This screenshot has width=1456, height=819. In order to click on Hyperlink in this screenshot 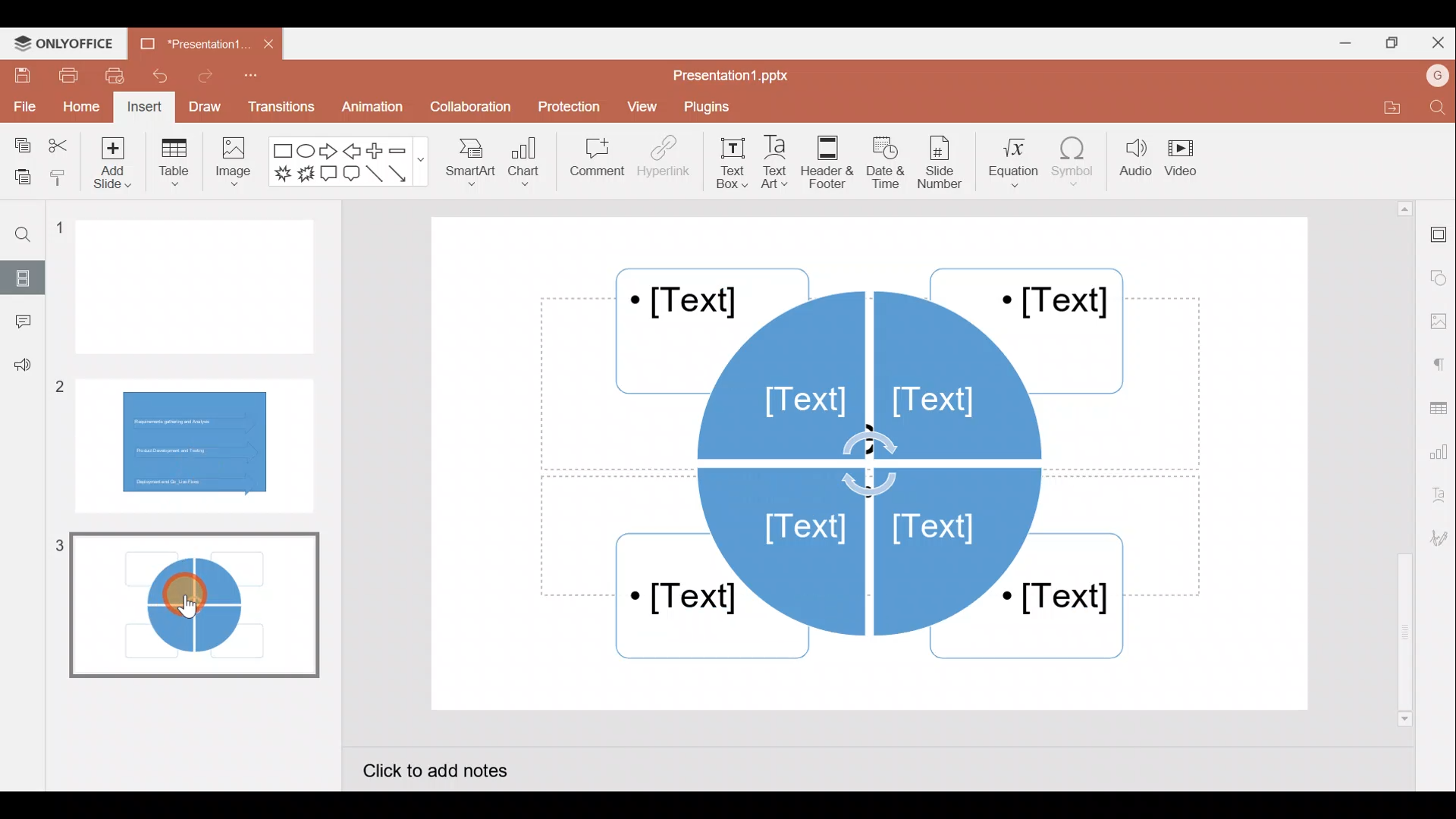, I will do `click(664, 162)`.